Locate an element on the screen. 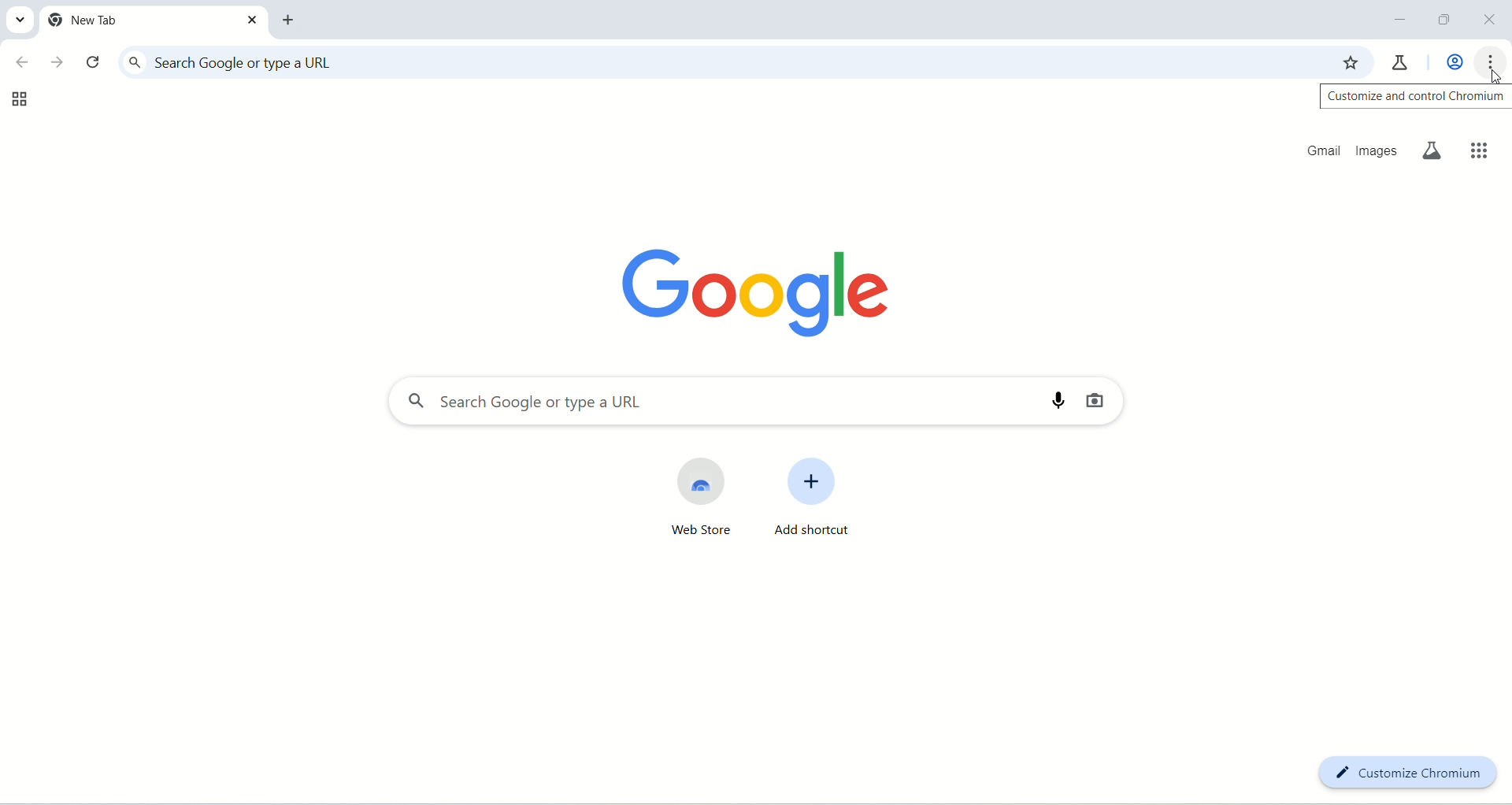  new tab is located at coordinates (139, 20).